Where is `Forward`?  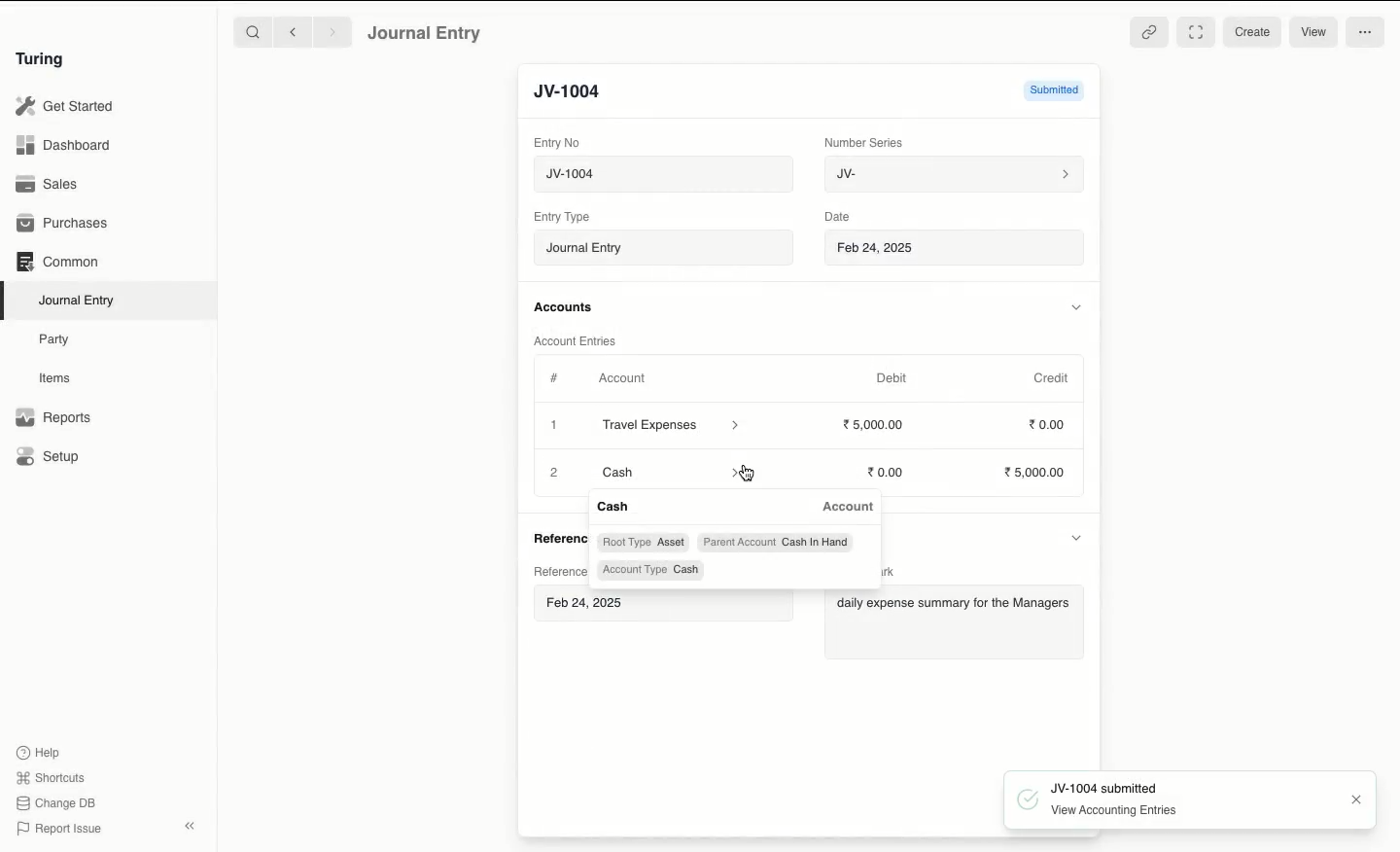
Forward is located at coordinates (333, 31).